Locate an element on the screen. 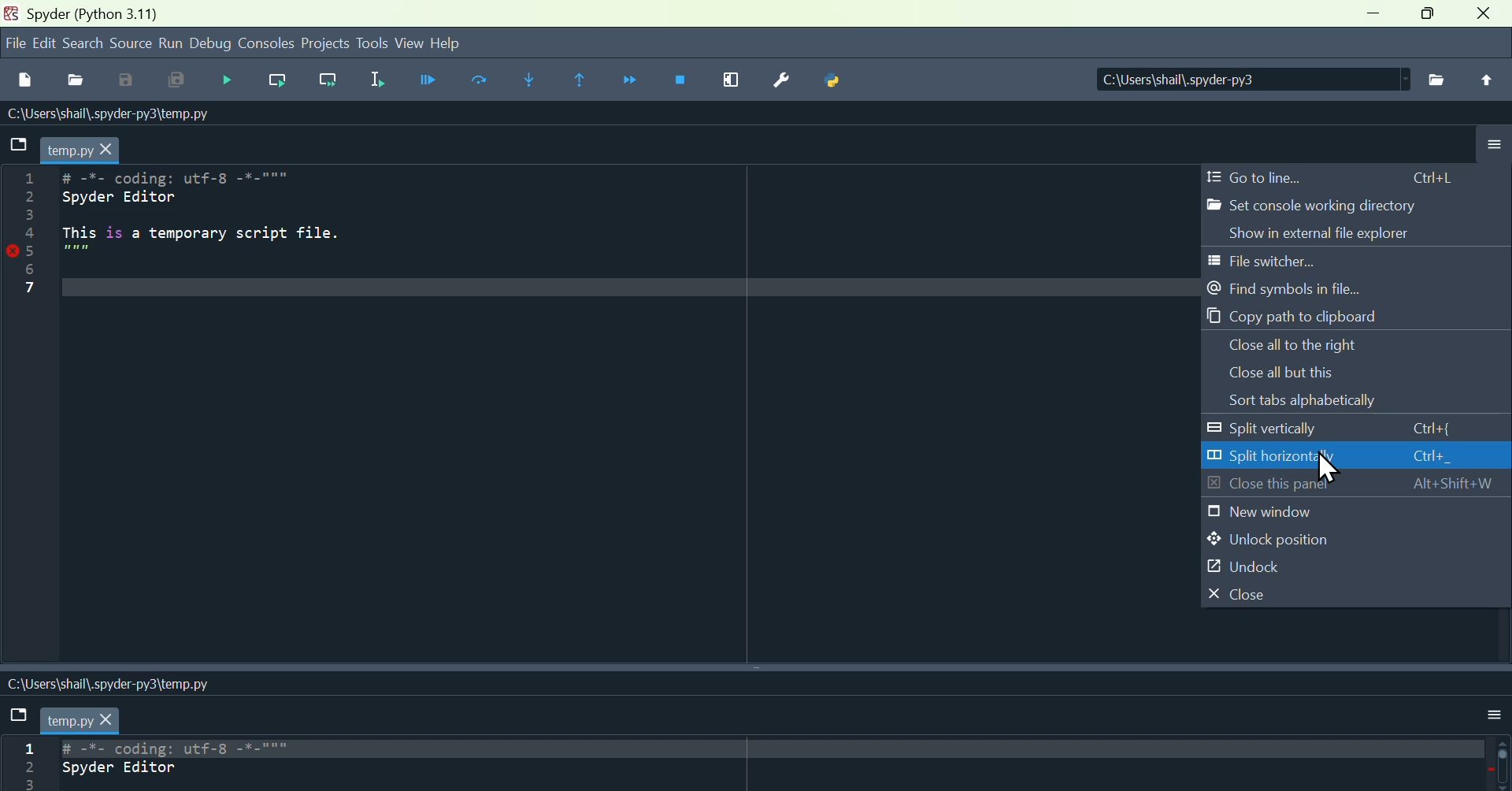 The image size is (1512, 791). New file is located at coordinates (25, 81).